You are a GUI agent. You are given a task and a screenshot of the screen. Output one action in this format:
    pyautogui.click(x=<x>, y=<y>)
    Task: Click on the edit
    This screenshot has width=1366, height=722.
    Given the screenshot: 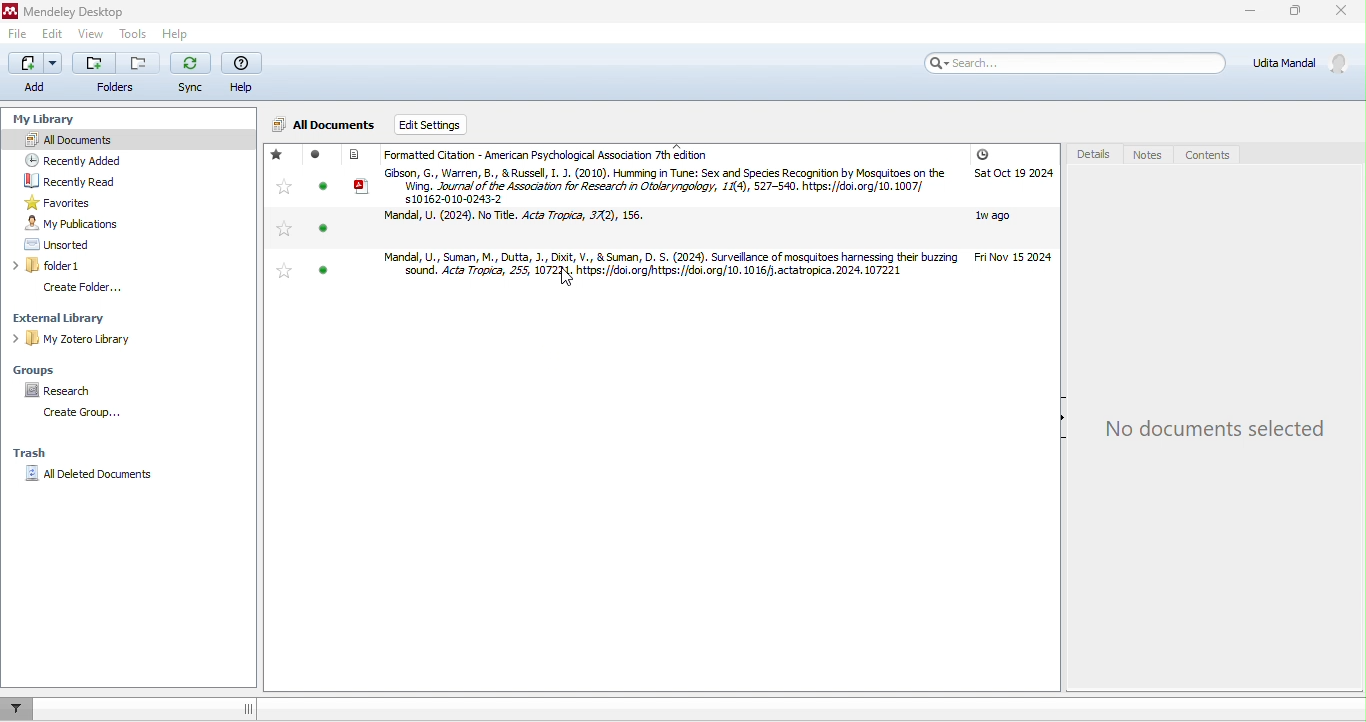 What is the action you would take?
    pyautogui.click(x=53, y=35)
    